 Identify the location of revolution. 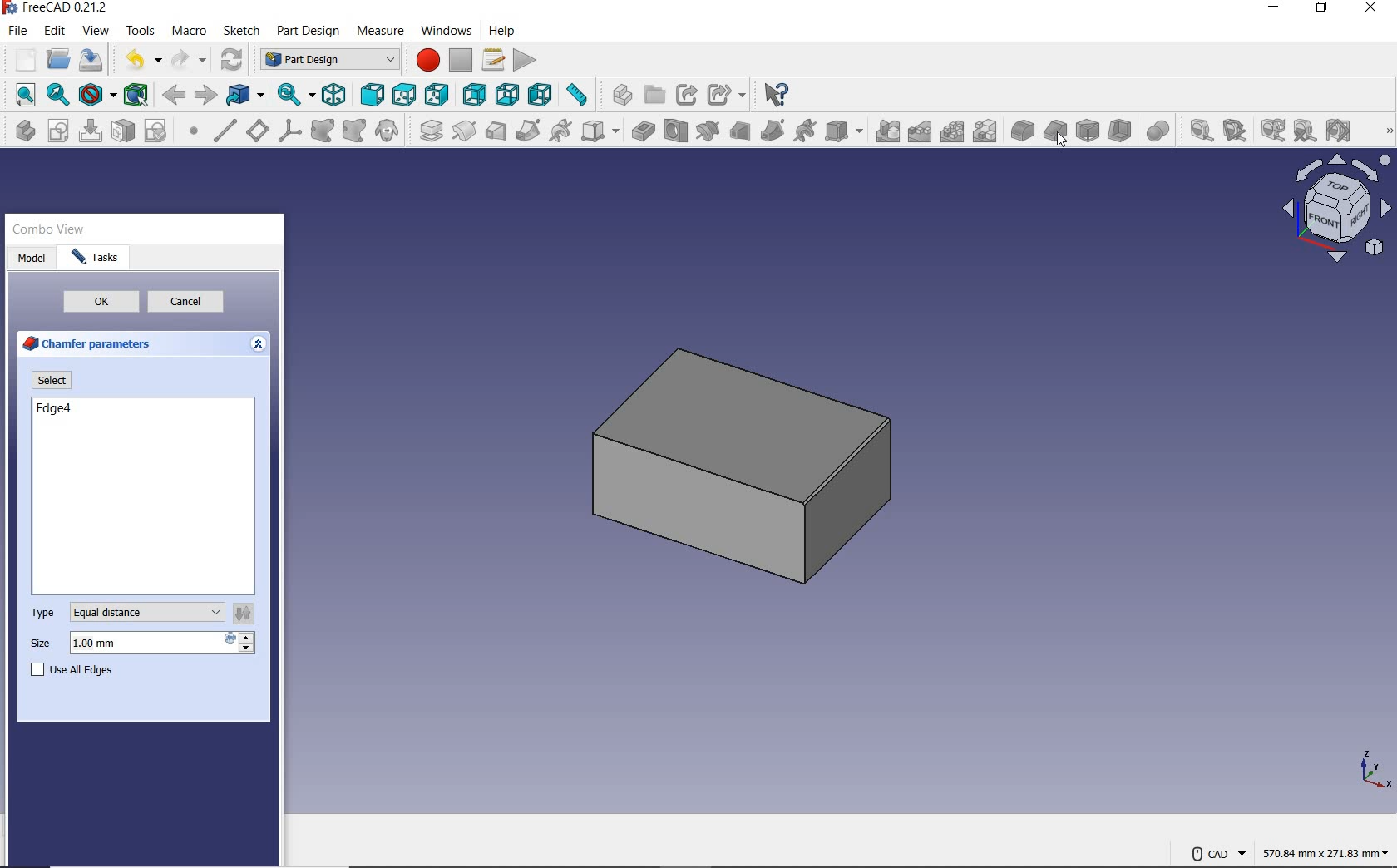
(465, 131).